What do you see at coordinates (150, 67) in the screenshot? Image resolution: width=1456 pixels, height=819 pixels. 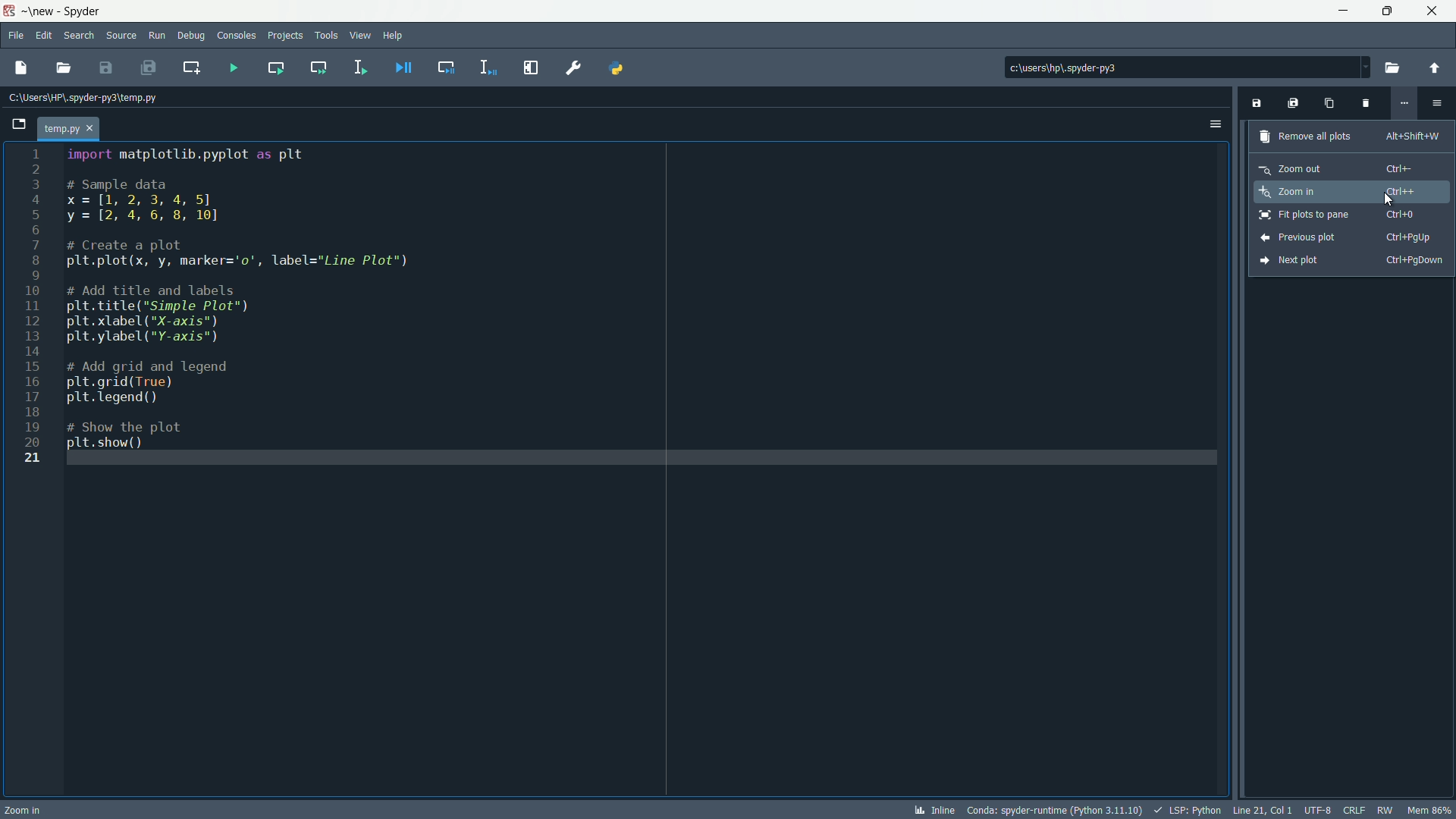 I see `save all files ` at bounding box center [150, 67].